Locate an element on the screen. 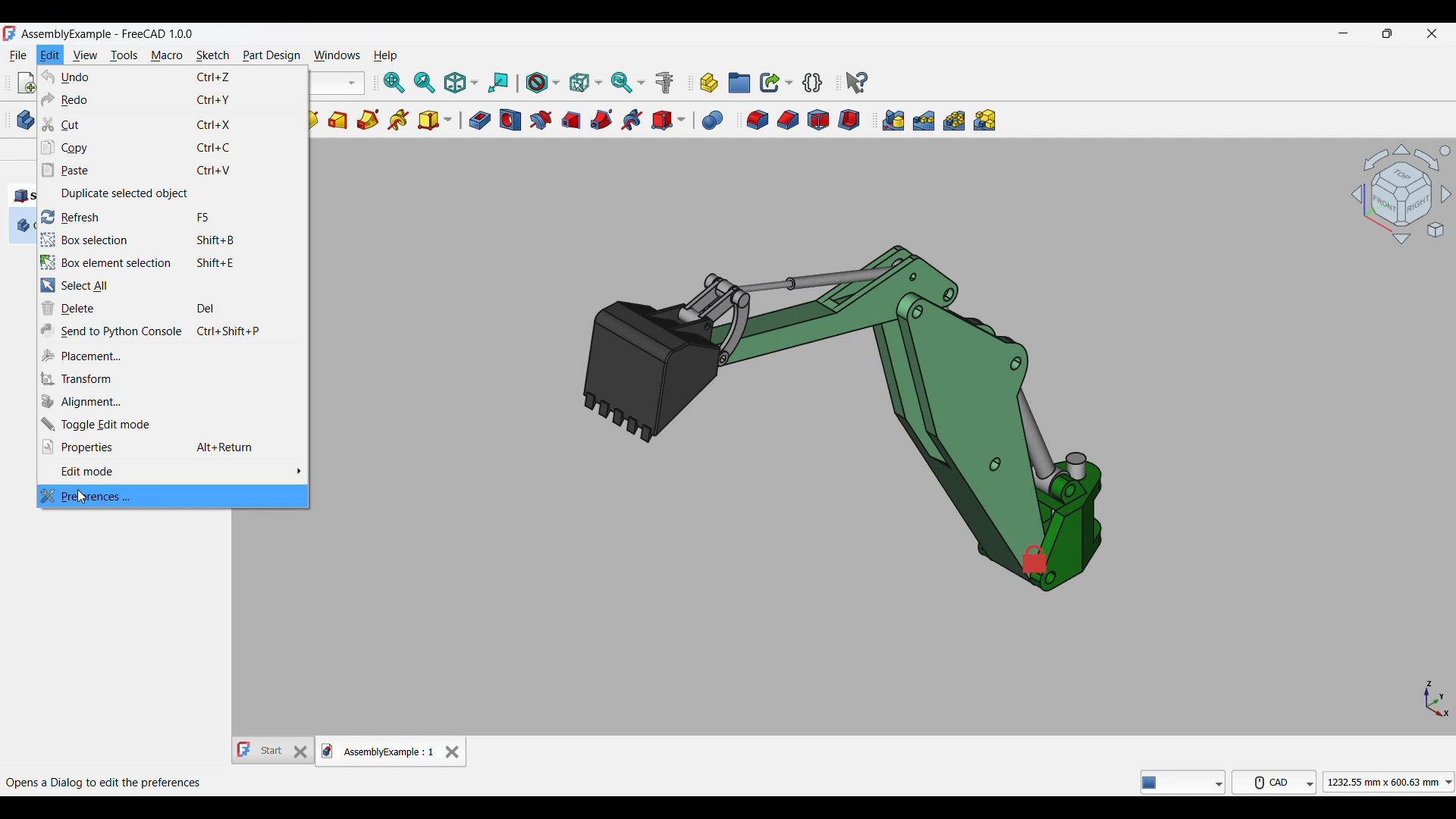  Create body is located at coordinates (23, 225).